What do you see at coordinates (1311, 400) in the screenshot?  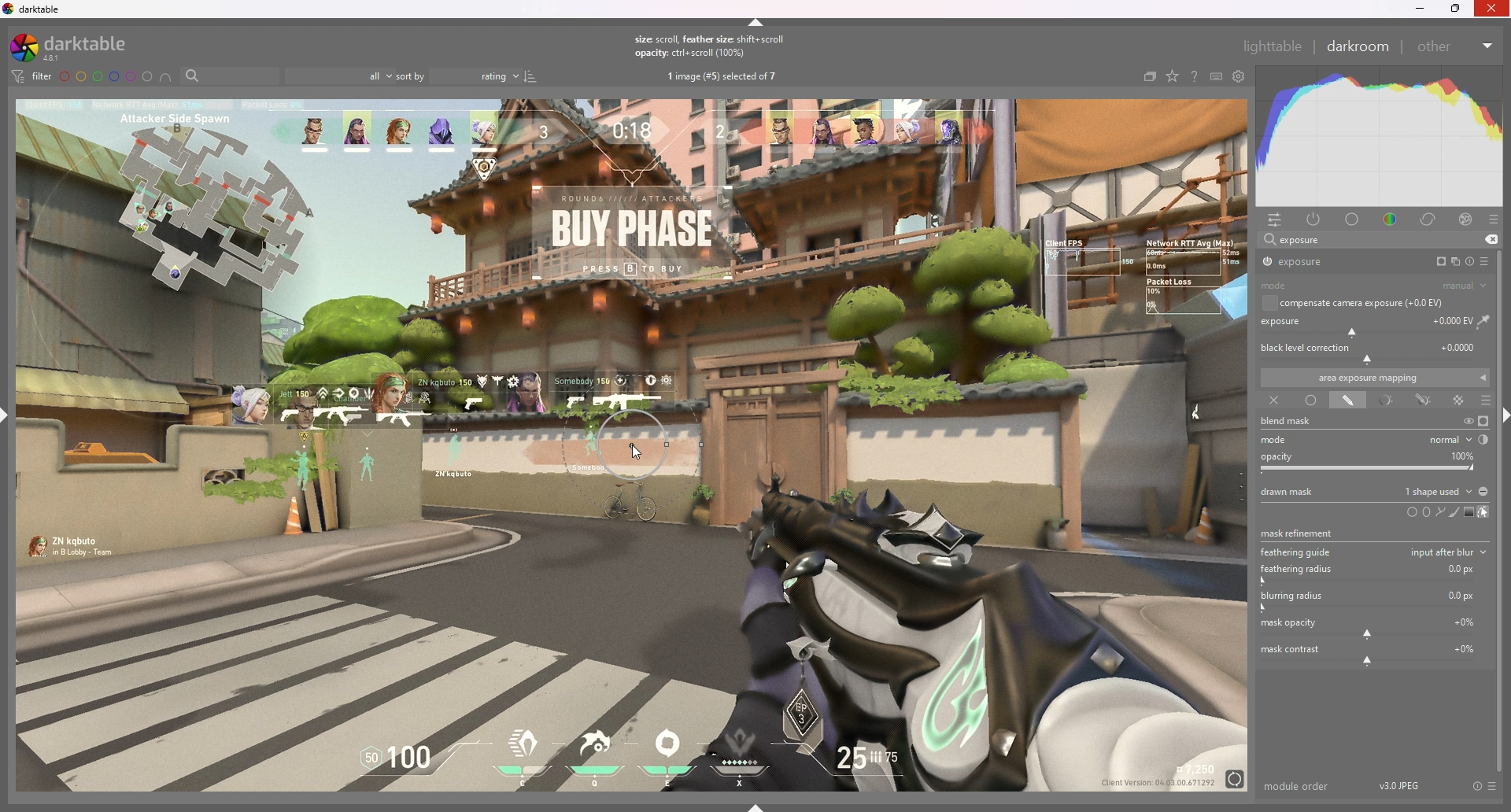 I see `uniformly` at bounding box center [1311, 400].